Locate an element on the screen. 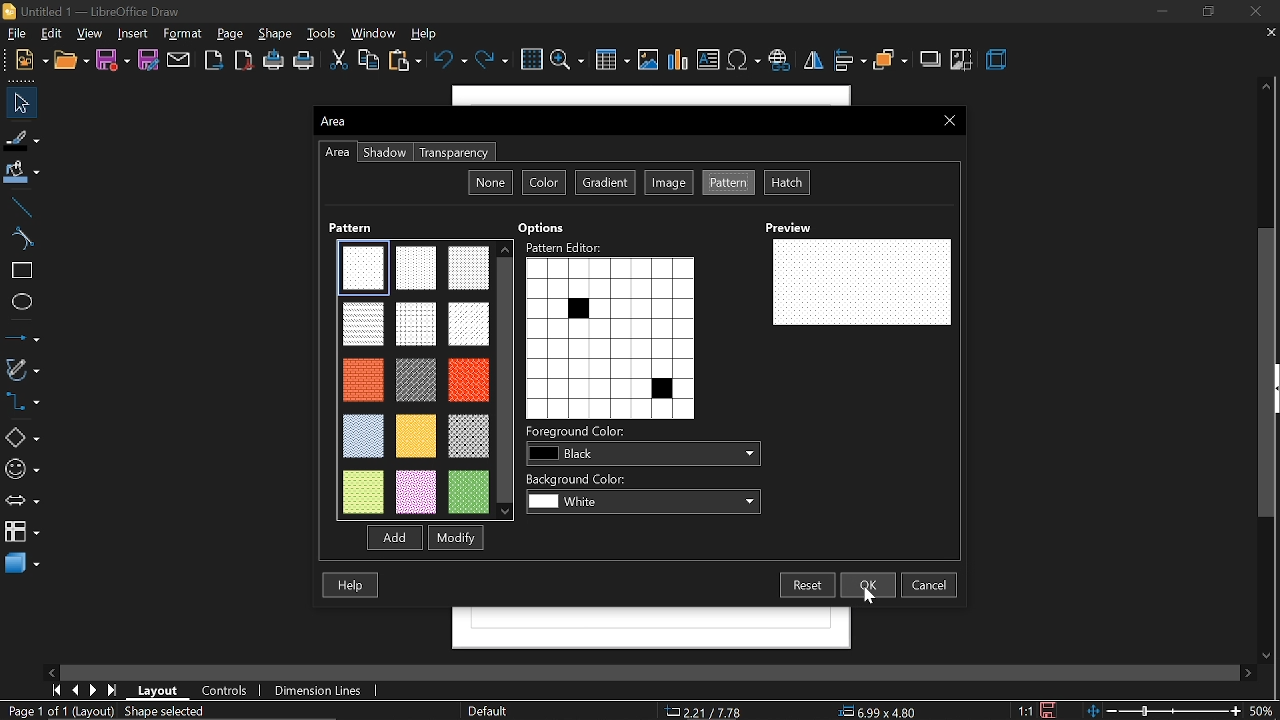  Close is located at coordinates (951, 120).